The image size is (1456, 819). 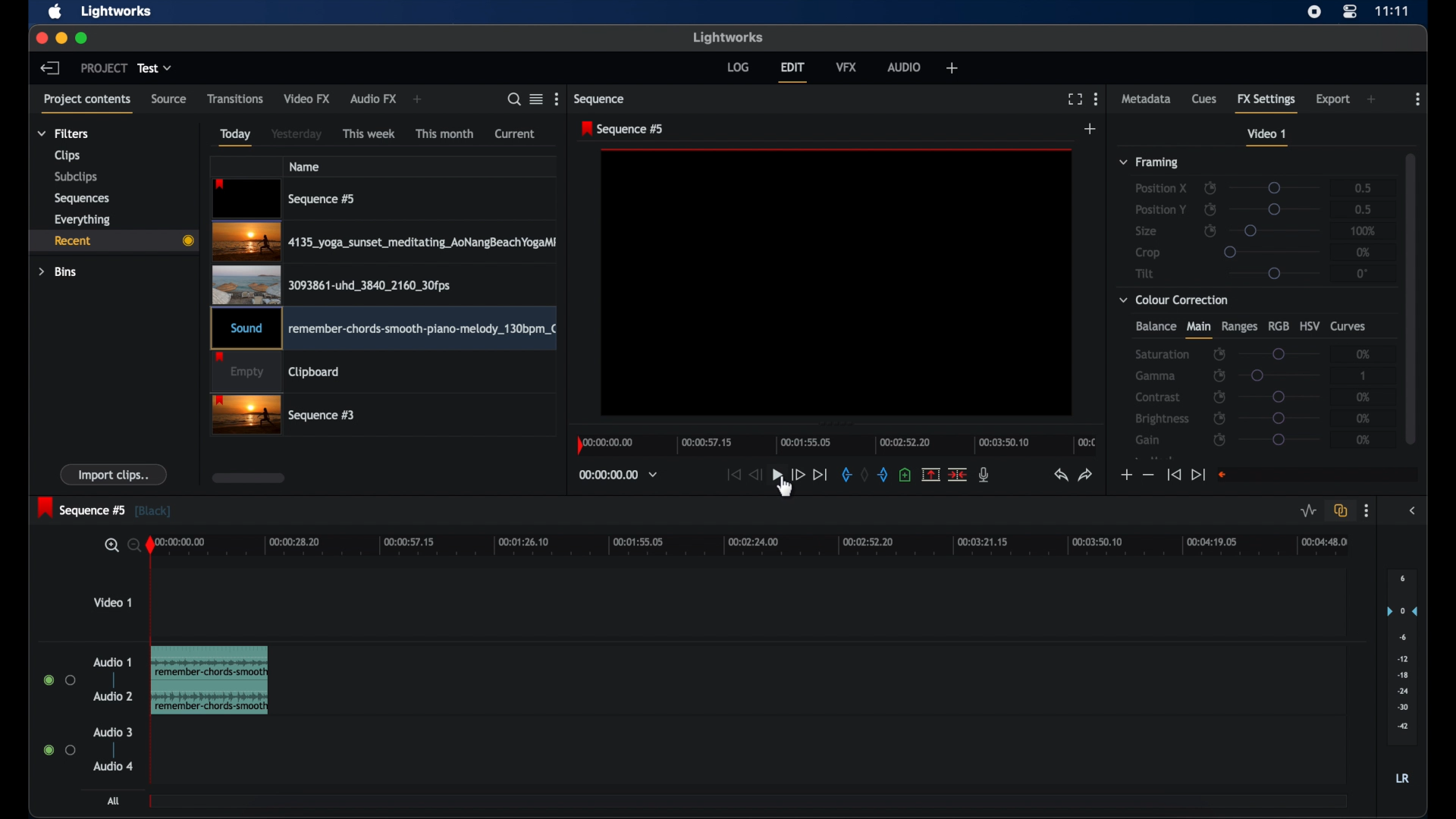 I want to click on add, so click(x=952, y=67).